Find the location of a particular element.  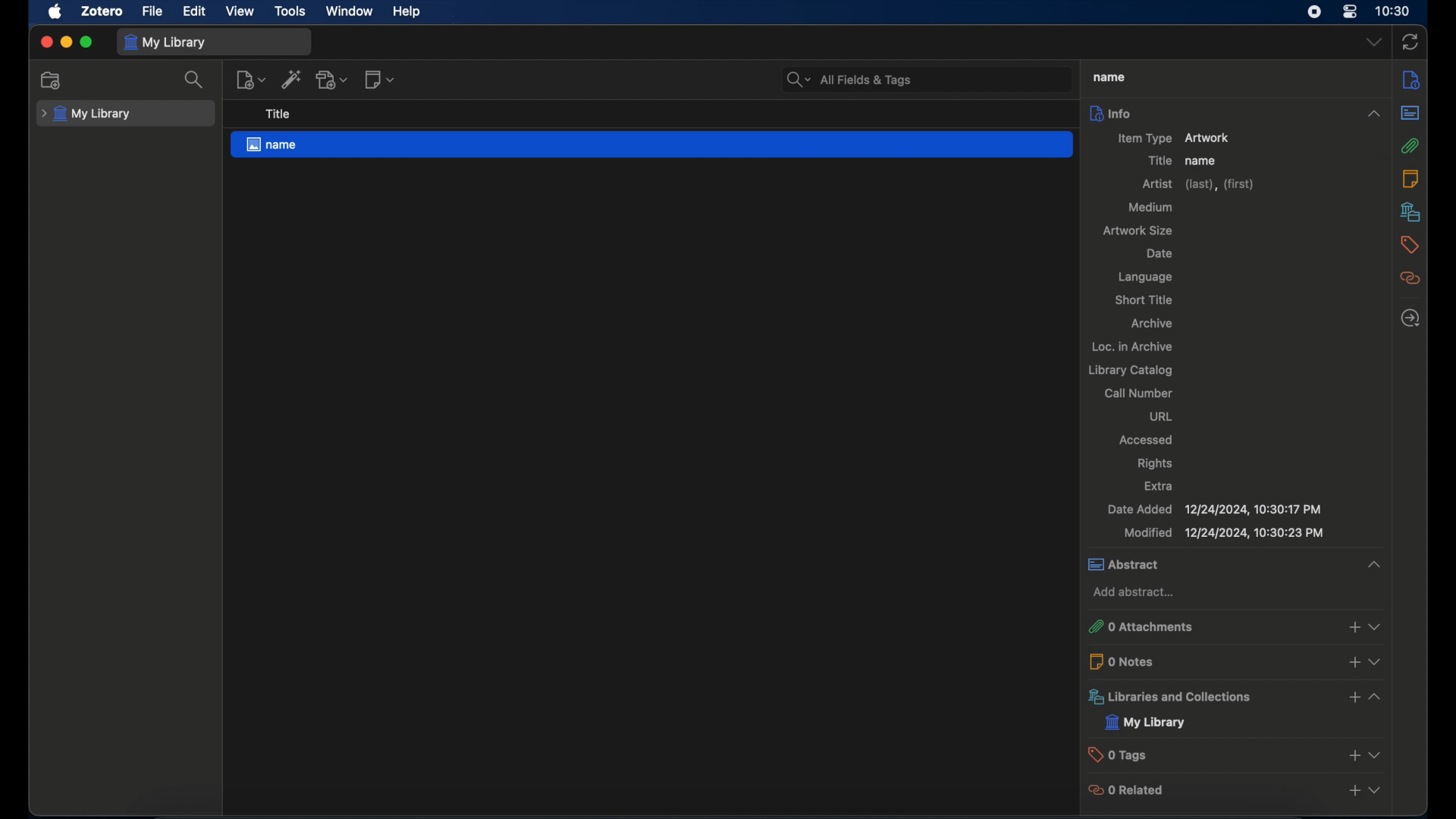

new notes is located at coordinates (379, 79).